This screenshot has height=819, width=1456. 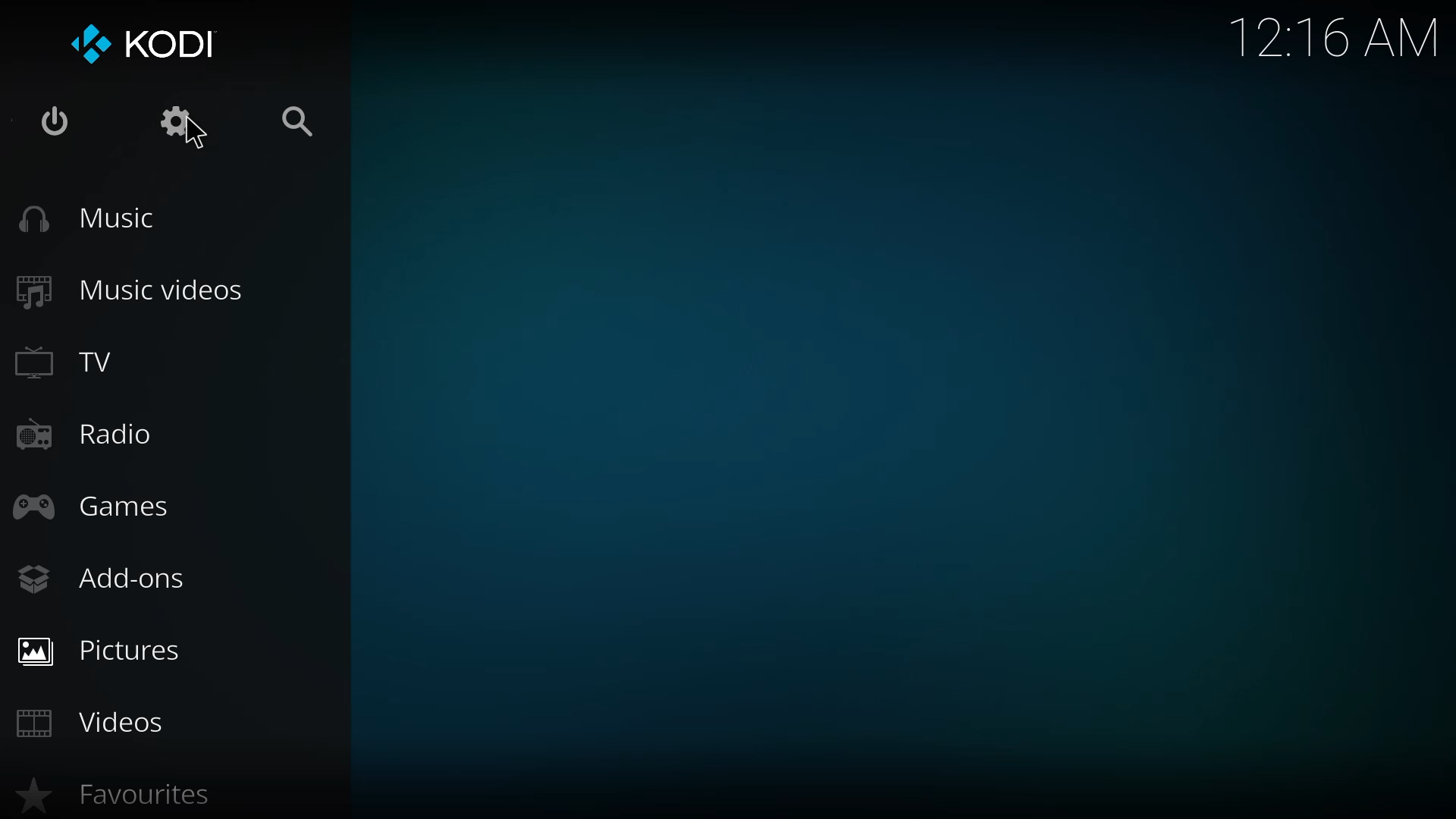 What do you see at coordinates (1335, 43) in the screenshot?
I see `12.16 AM` at bounding box center [1335, 43].